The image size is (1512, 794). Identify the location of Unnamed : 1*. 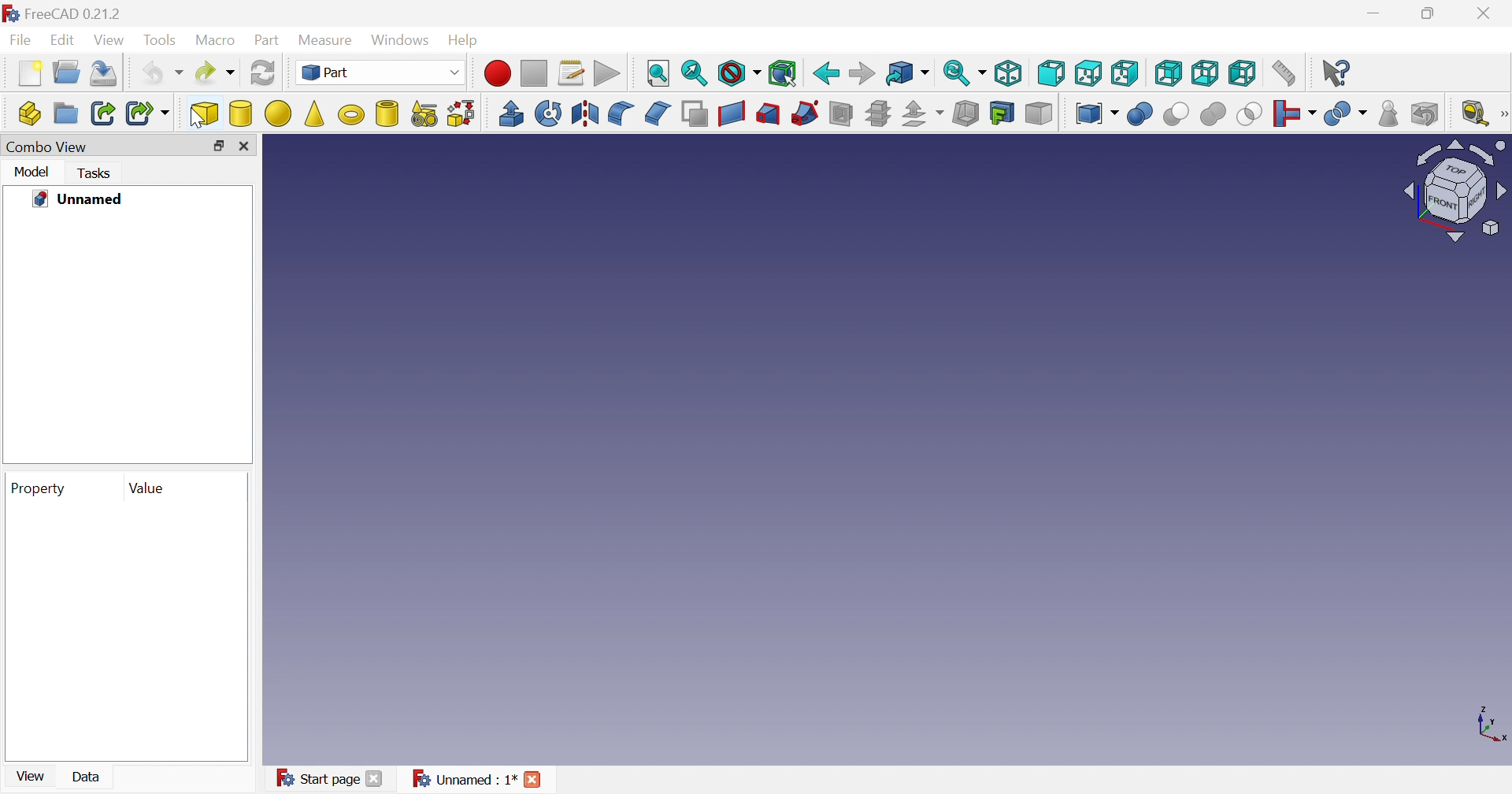
(465, 777).